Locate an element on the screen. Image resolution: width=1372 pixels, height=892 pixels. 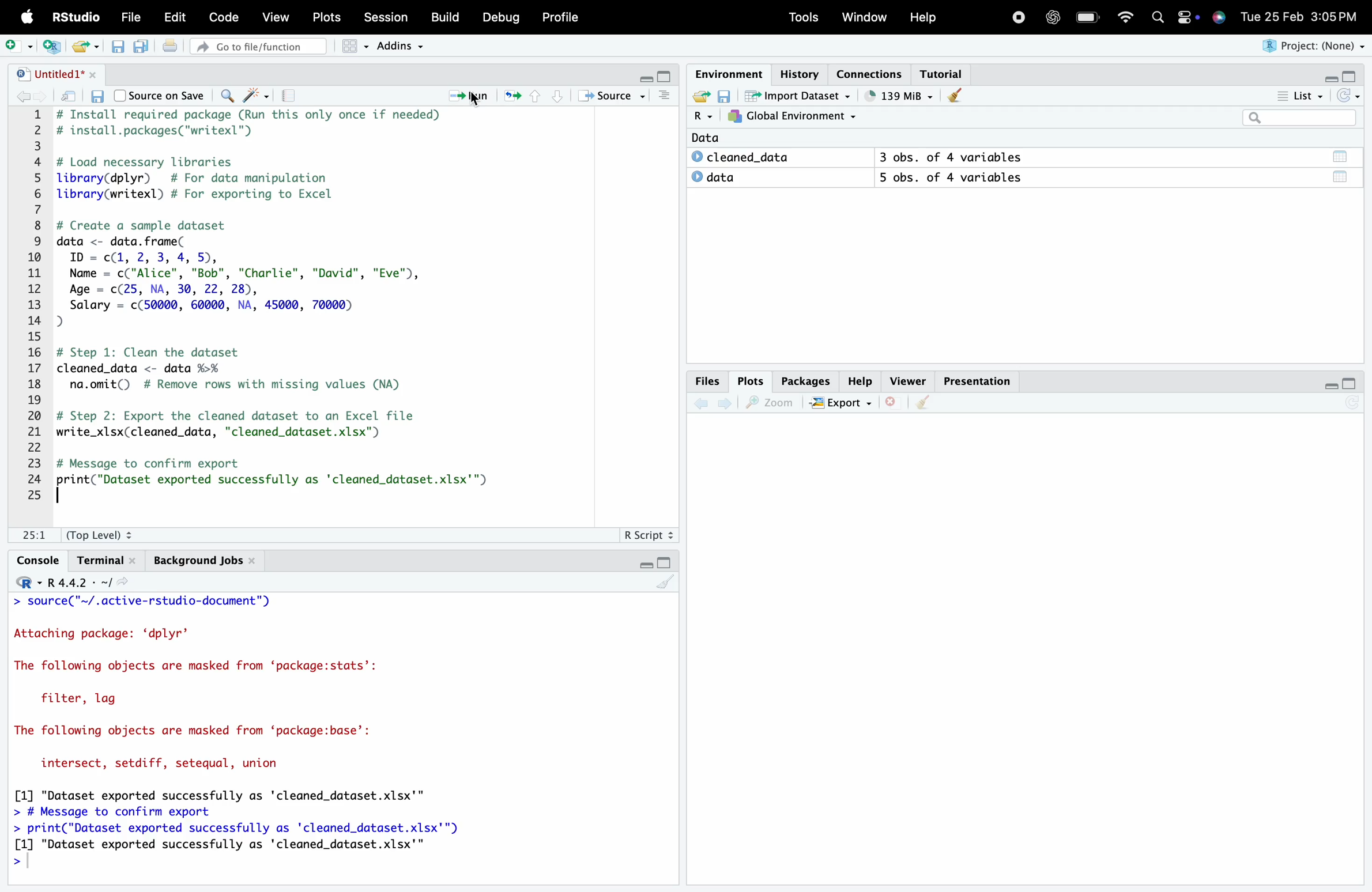
Tools is located at coordinates (805, 18).